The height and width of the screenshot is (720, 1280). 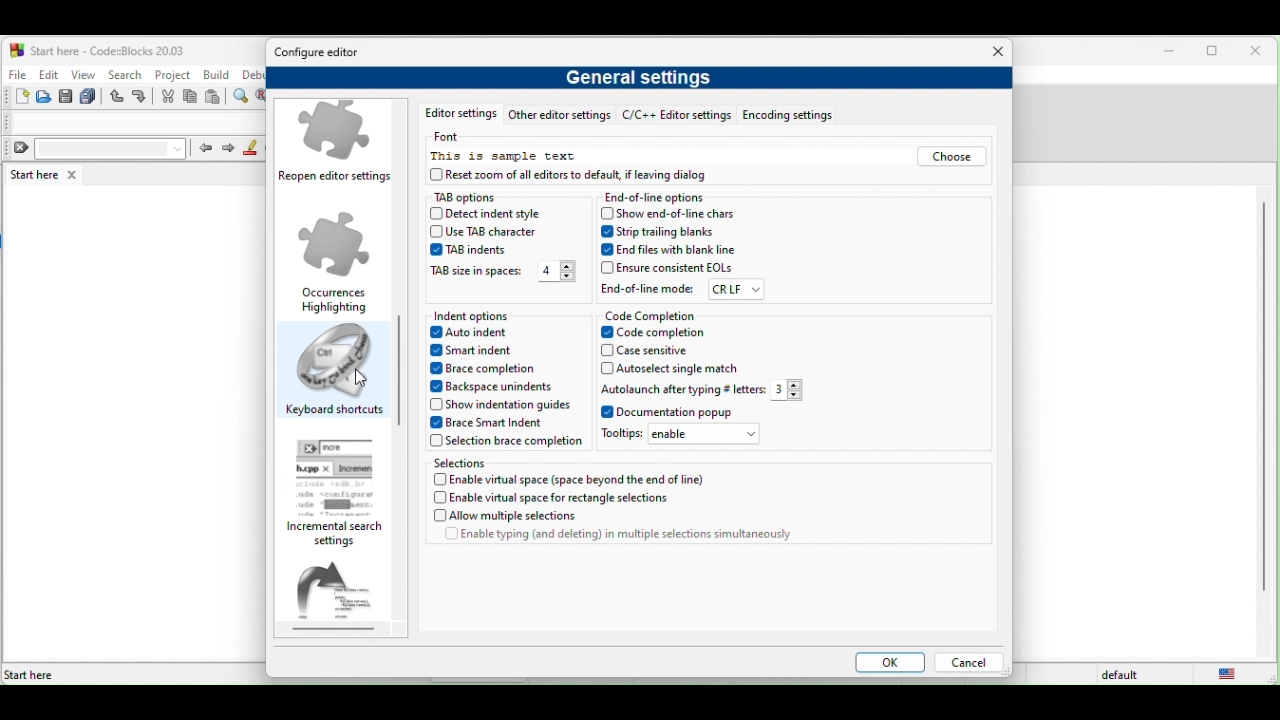 I want to click on autoselect single match, so click(x=674, y=369).